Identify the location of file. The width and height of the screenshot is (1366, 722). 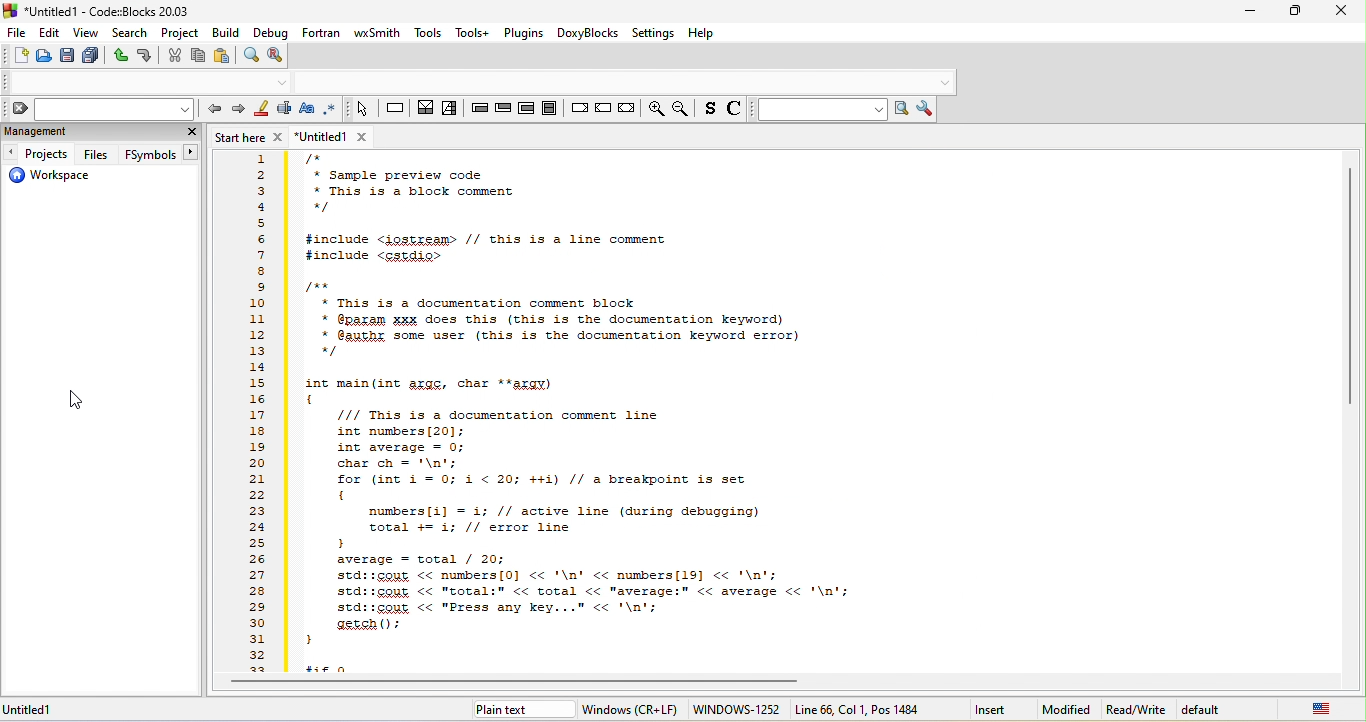
(16, 33).